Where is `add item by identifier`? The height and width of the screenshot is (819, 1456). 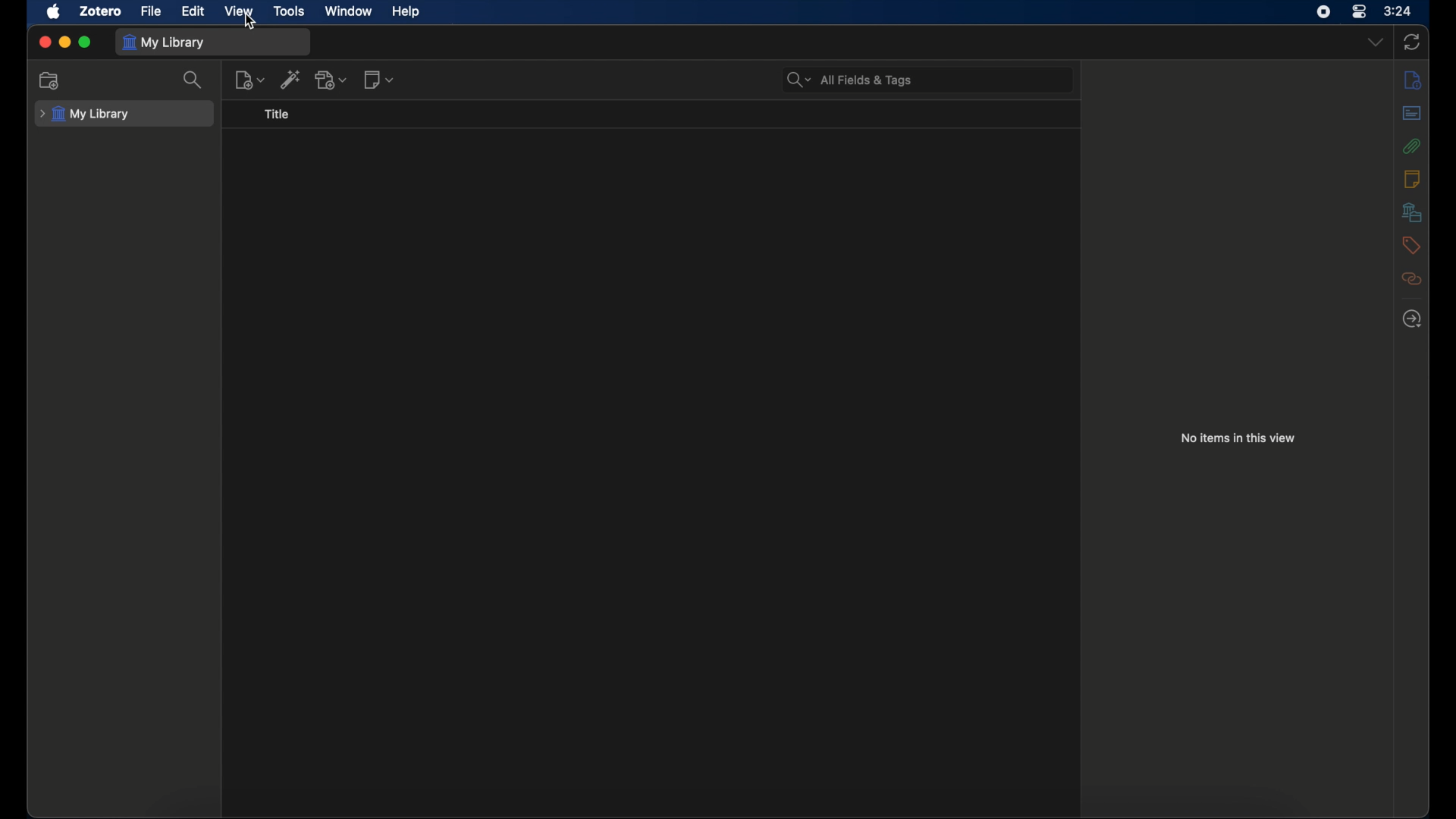
add item by identifier is located at coordinates (291, 79).